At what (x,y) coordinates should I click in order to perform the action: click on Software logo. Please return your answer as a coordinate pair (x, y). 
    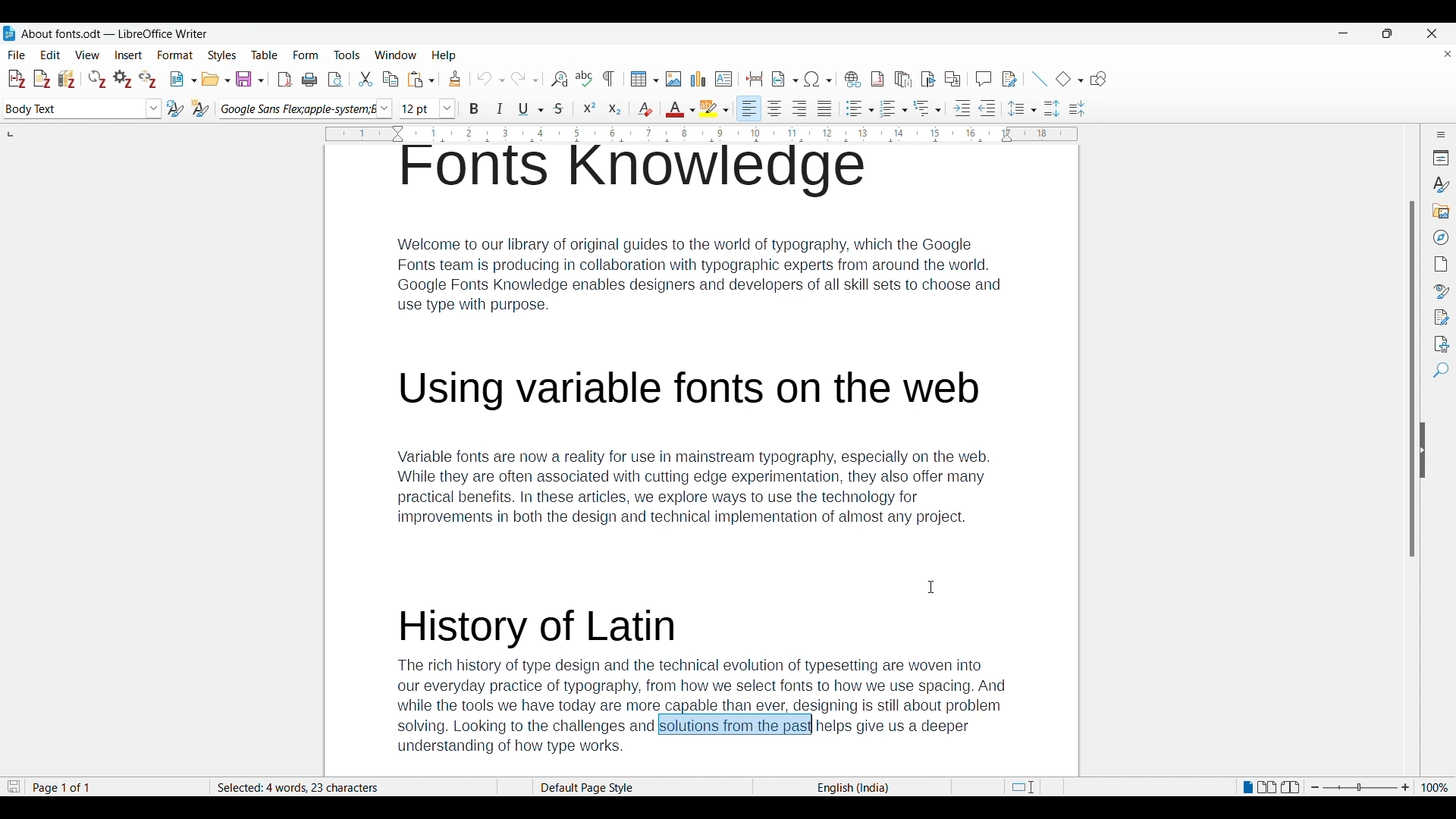
    Looking at the image, I should click on (9, 33).